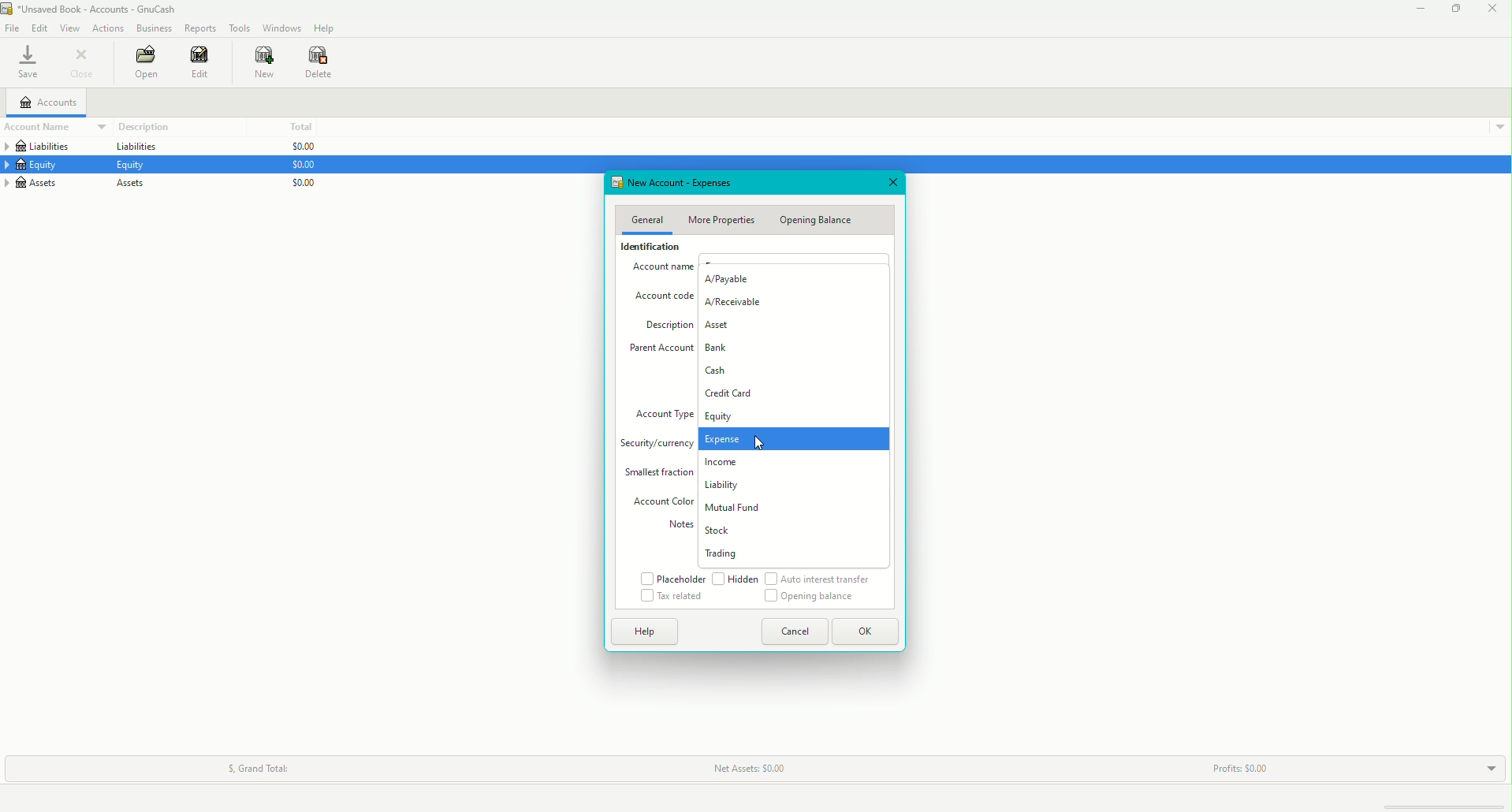 This screenshot has width=1512, height=812. I want to click on A/Receivable, so click(735, 302).